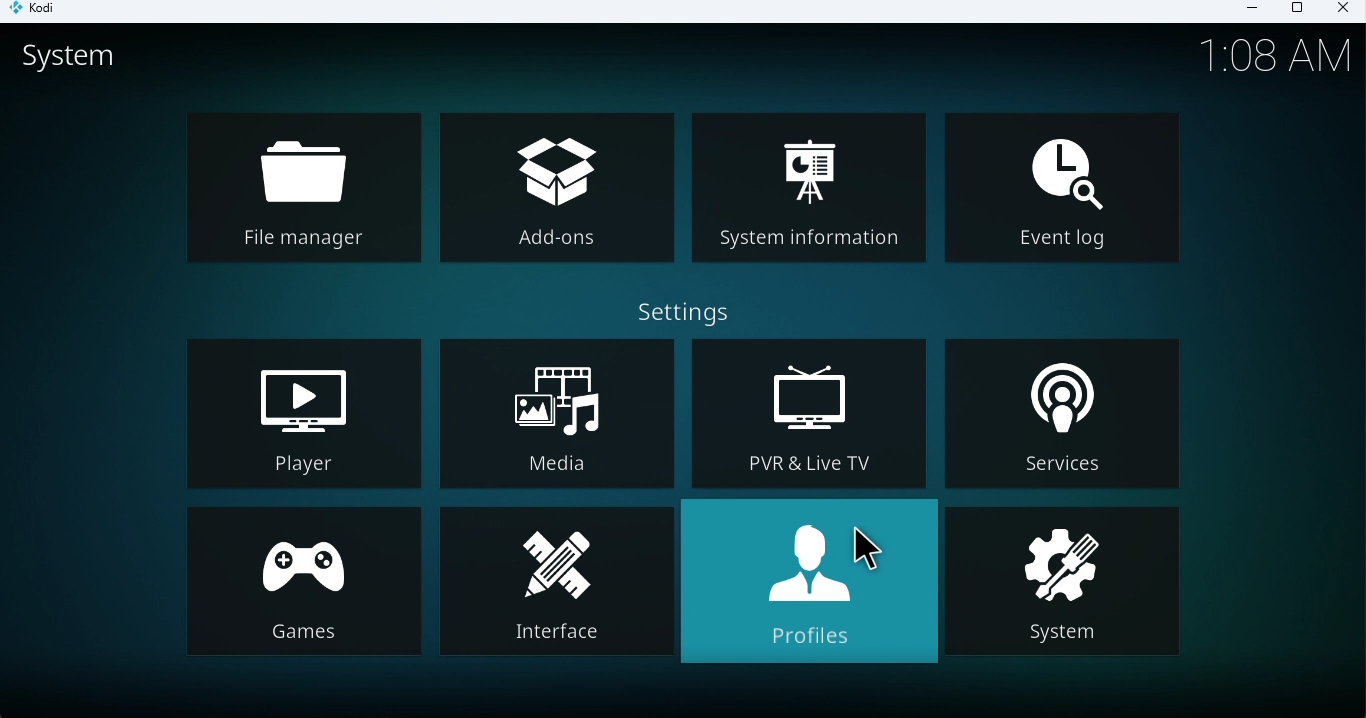  I want to click on Kodi icon, so click(42, 12).